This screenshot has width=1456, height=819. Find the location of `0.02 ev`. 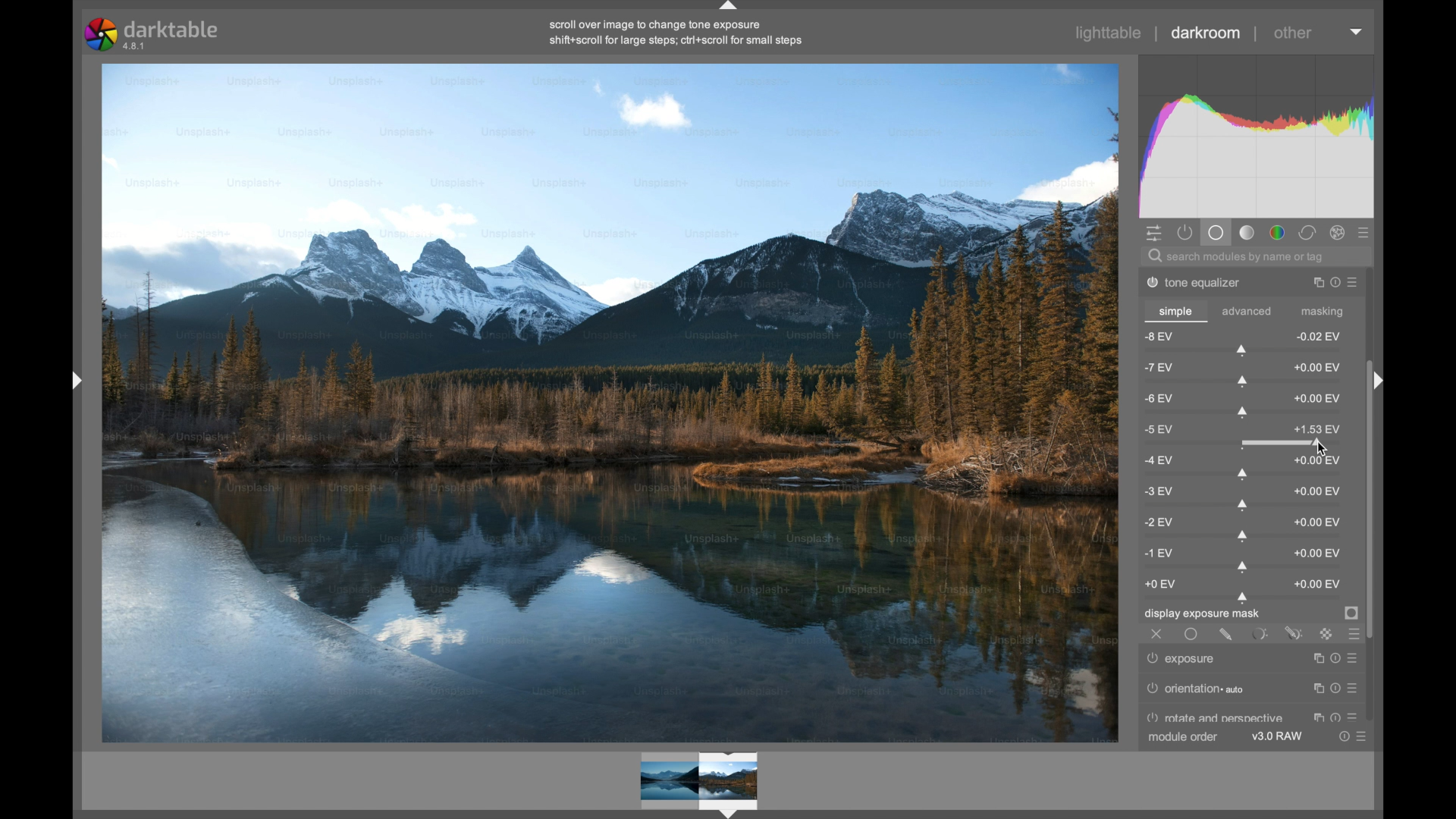

0.02 ev is located at coordinates (1319, 337).